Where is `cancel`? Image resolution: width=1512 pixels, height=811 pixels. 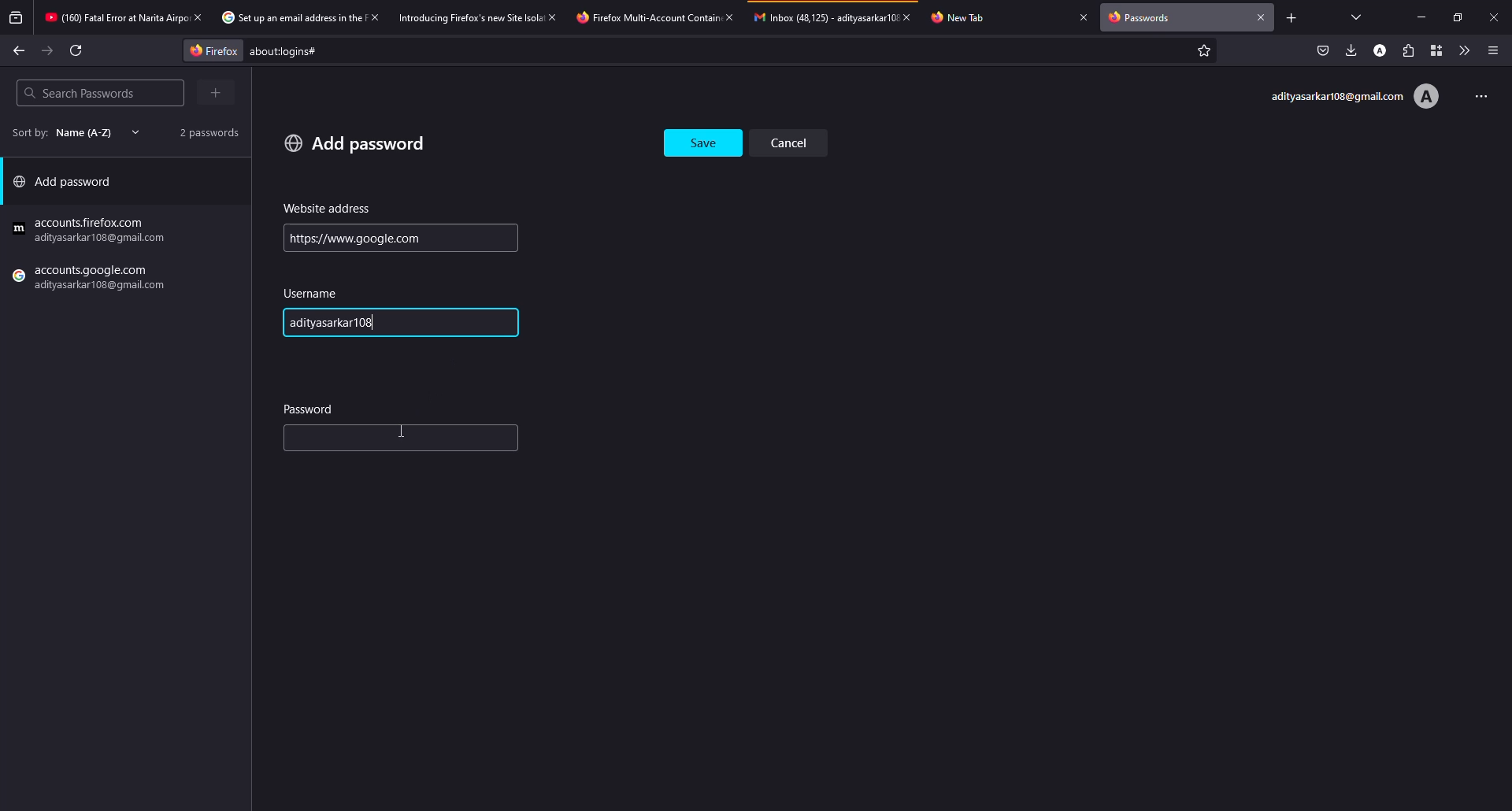
cancel is located at coordinates (795, 142).